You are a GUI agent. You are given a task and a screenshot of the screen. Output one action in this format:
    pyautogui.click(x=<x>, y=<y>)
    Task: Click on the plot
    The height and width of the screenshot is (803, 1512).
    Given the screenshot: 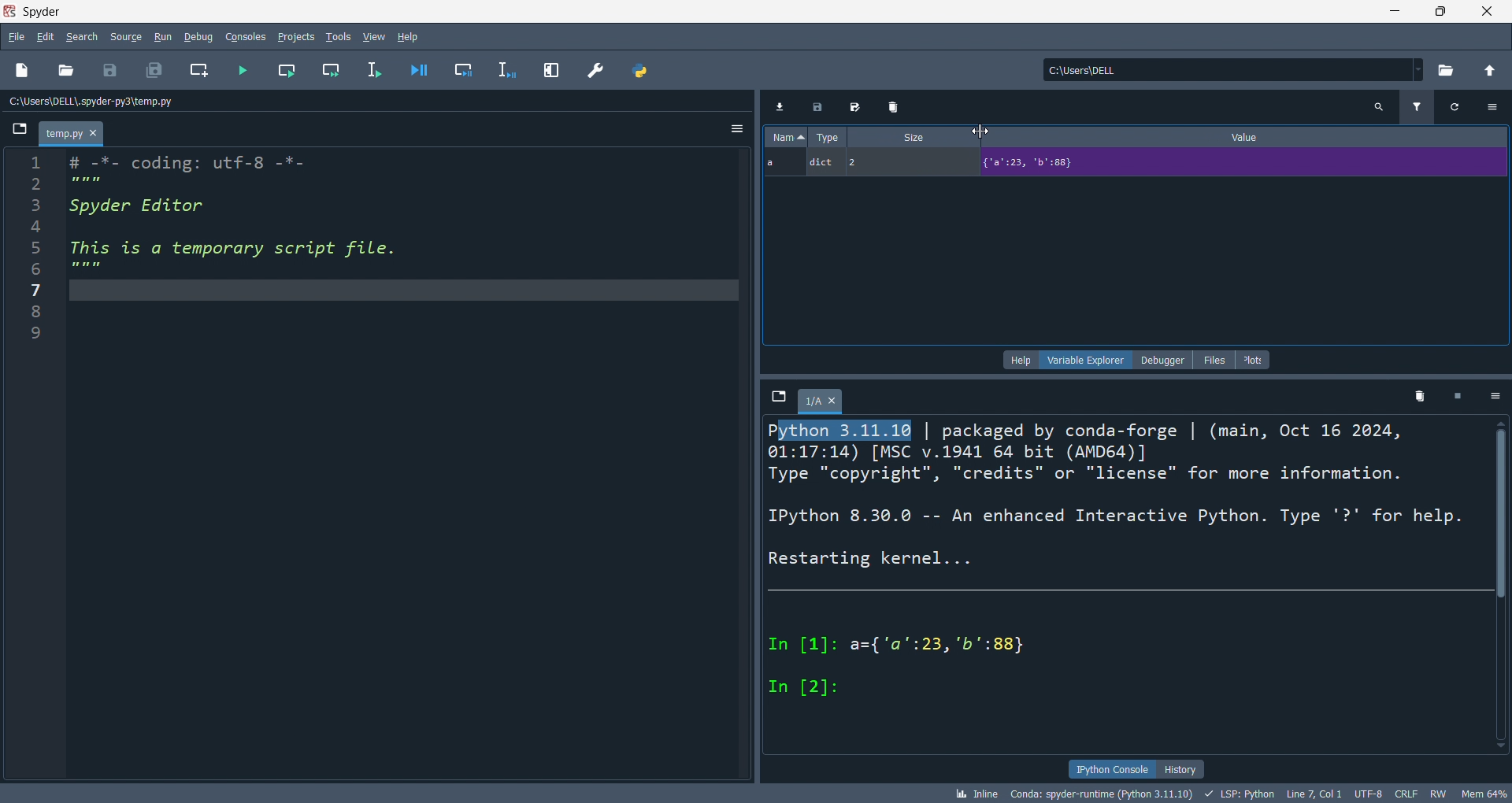 What is the action you would take?
    pyautogui.click(x=1254, y=360)
    